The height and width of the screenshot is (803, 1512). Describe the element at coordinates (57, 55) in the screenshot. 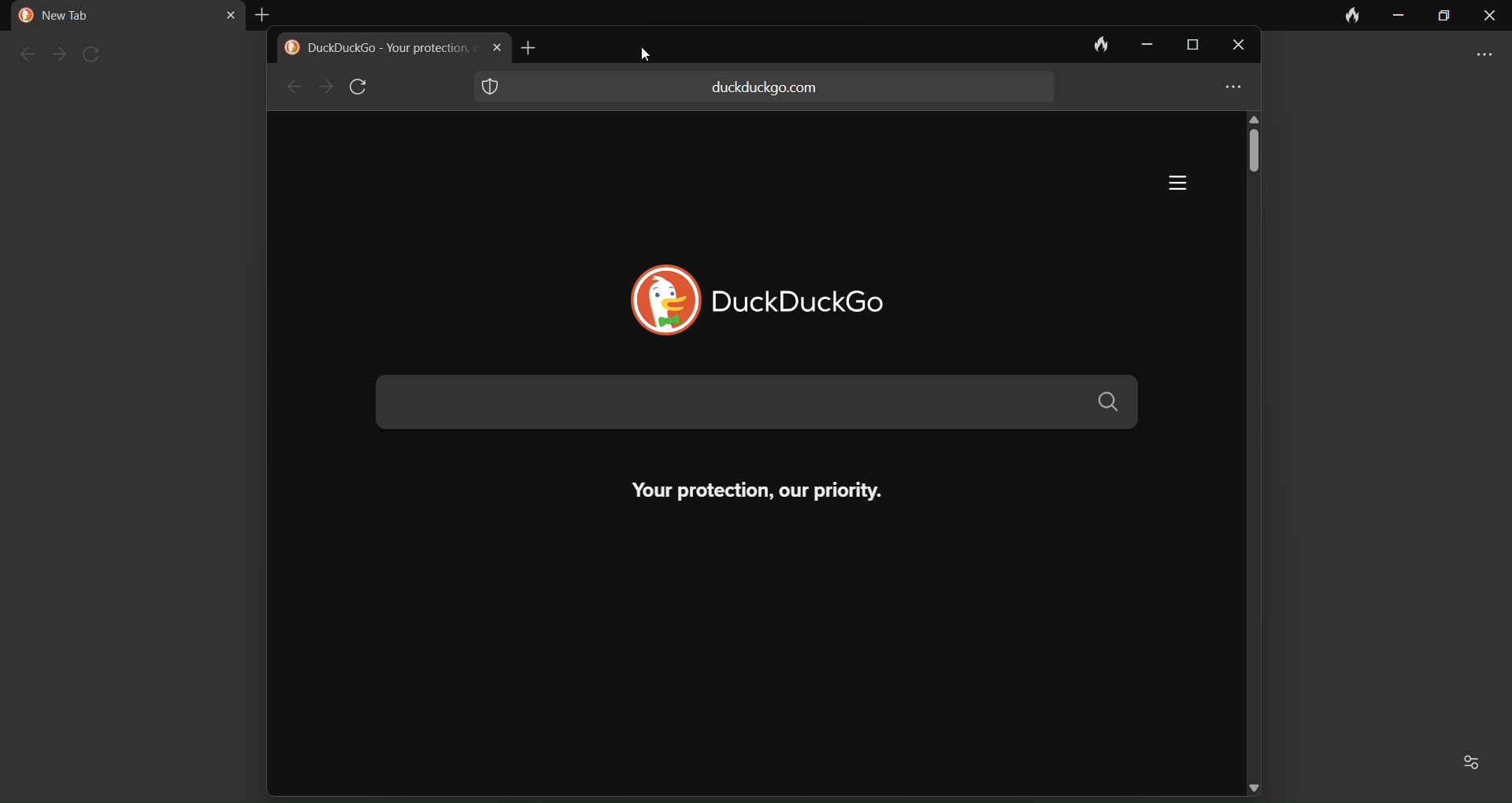

I see `next` at that location.